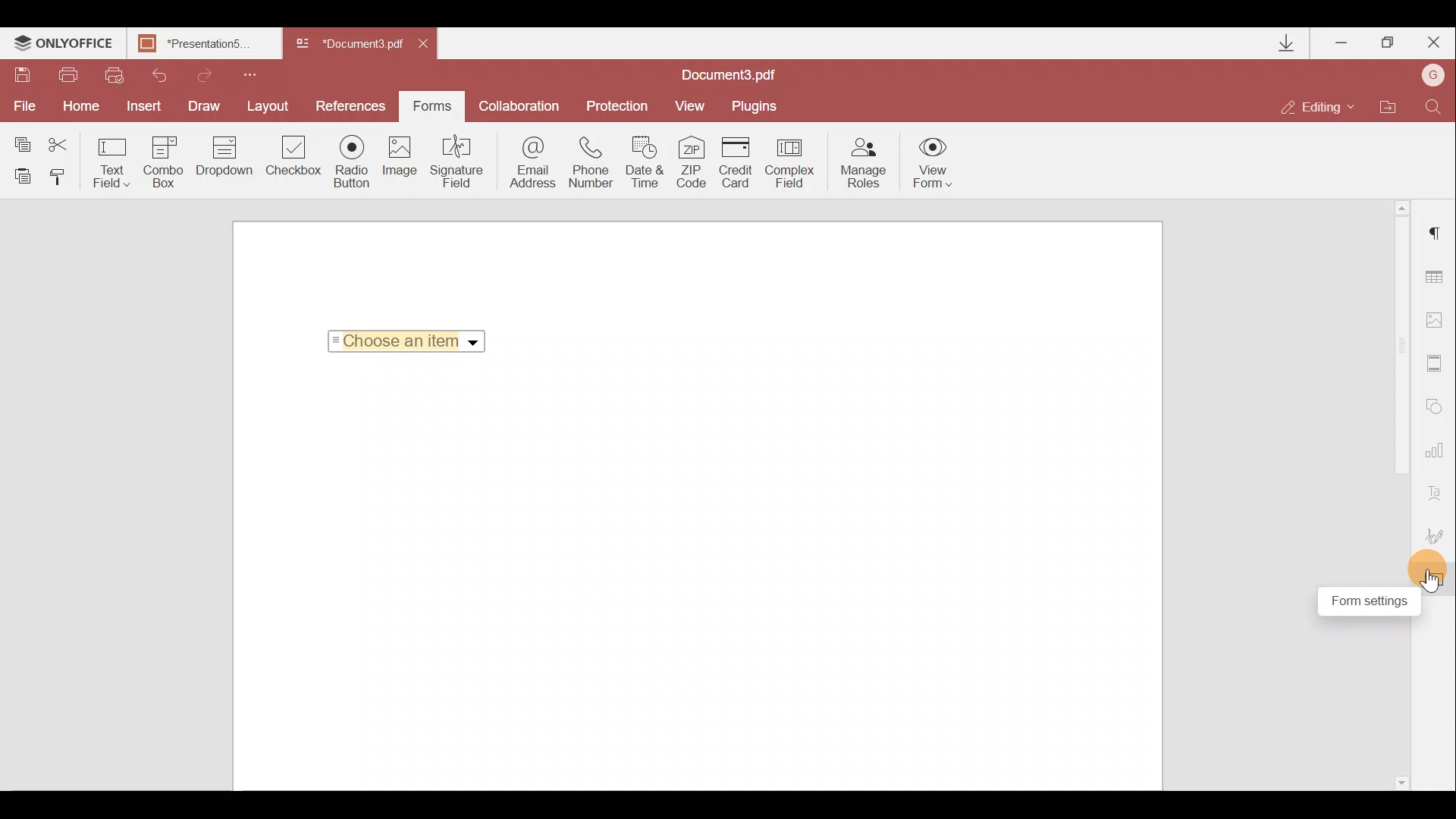 The width and height of the screenshot is (1456, 819). I want to click on Maximize, so click(1389, 42).